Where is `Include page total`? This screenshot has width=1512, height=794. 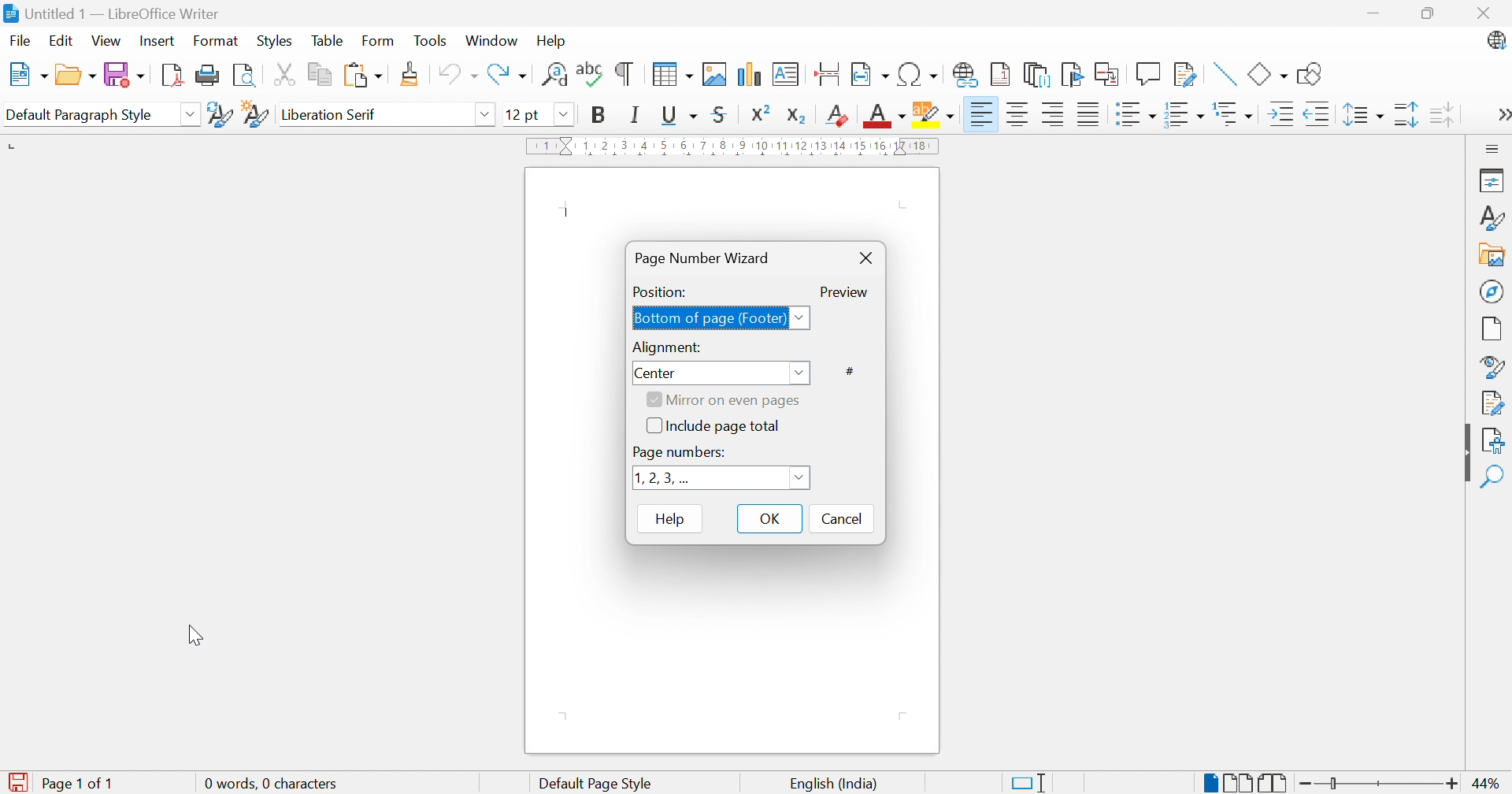
Include page total is located at coordinates (727, 426).